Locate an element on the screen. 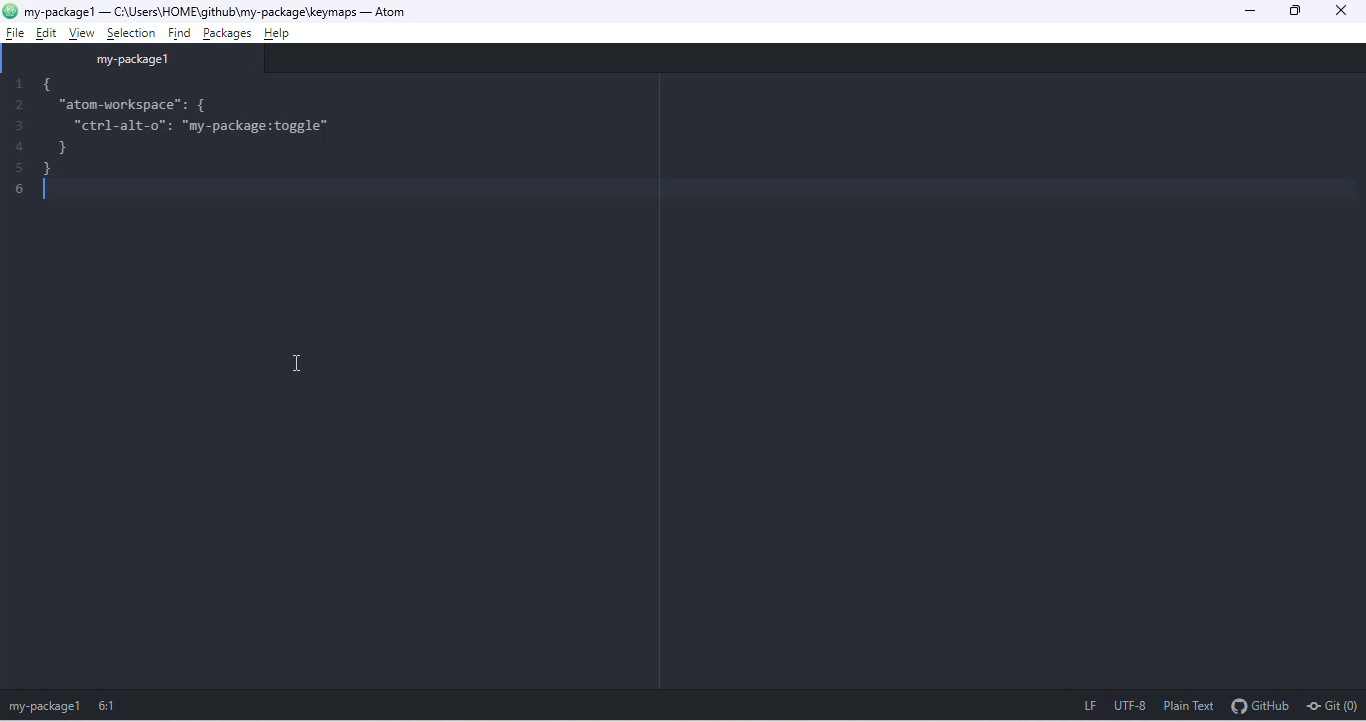 The width and height of the screenshot is (1366, 722). close is located at coordinates (1348, 12).